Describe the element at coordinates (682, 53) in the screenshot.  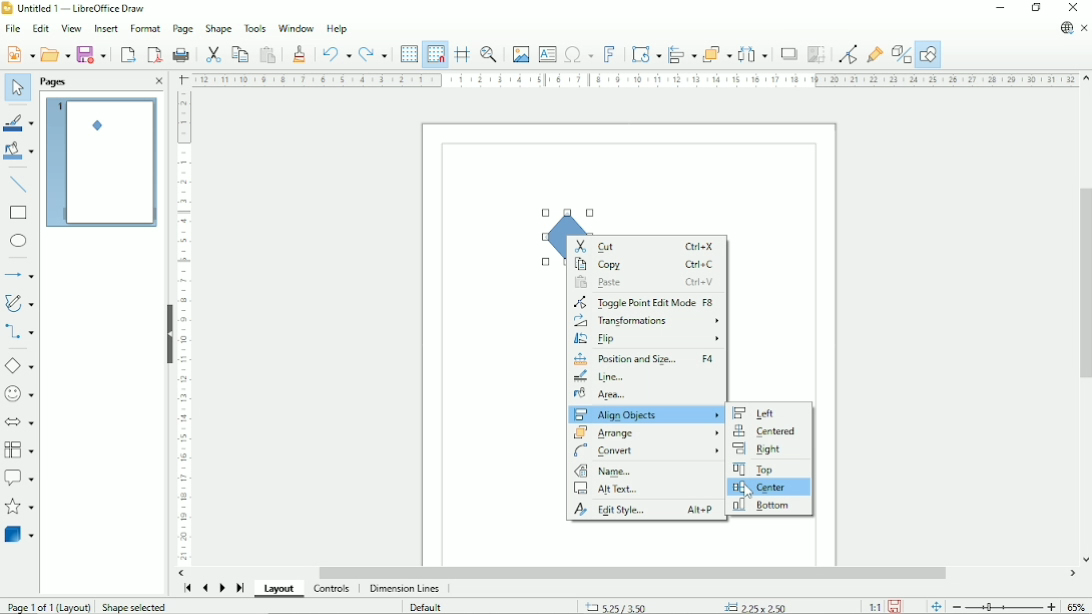
I see `Align objects` at that location.